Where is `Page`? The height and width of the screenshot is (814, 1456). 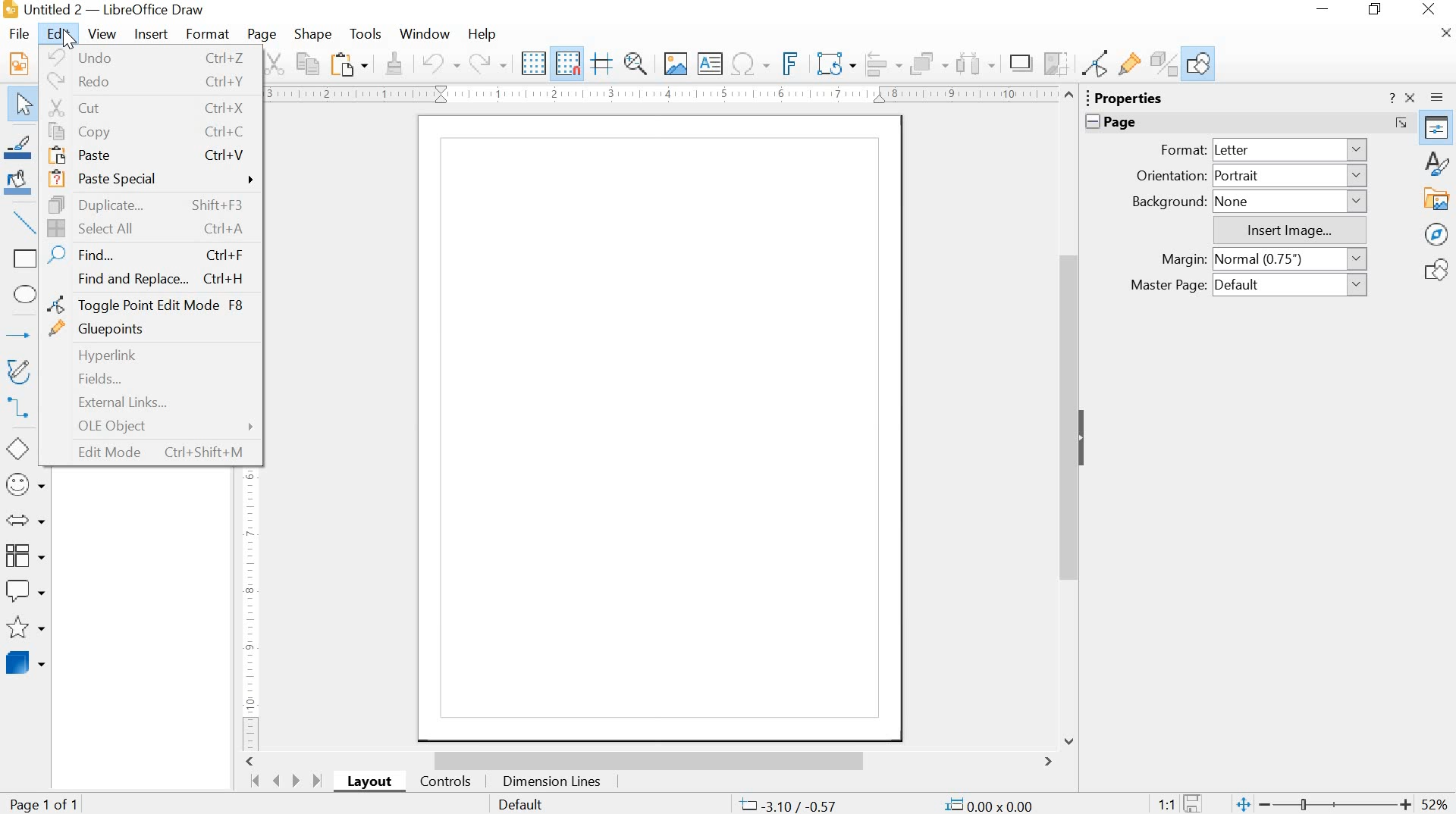
Page is located at coordinates (262, 36).